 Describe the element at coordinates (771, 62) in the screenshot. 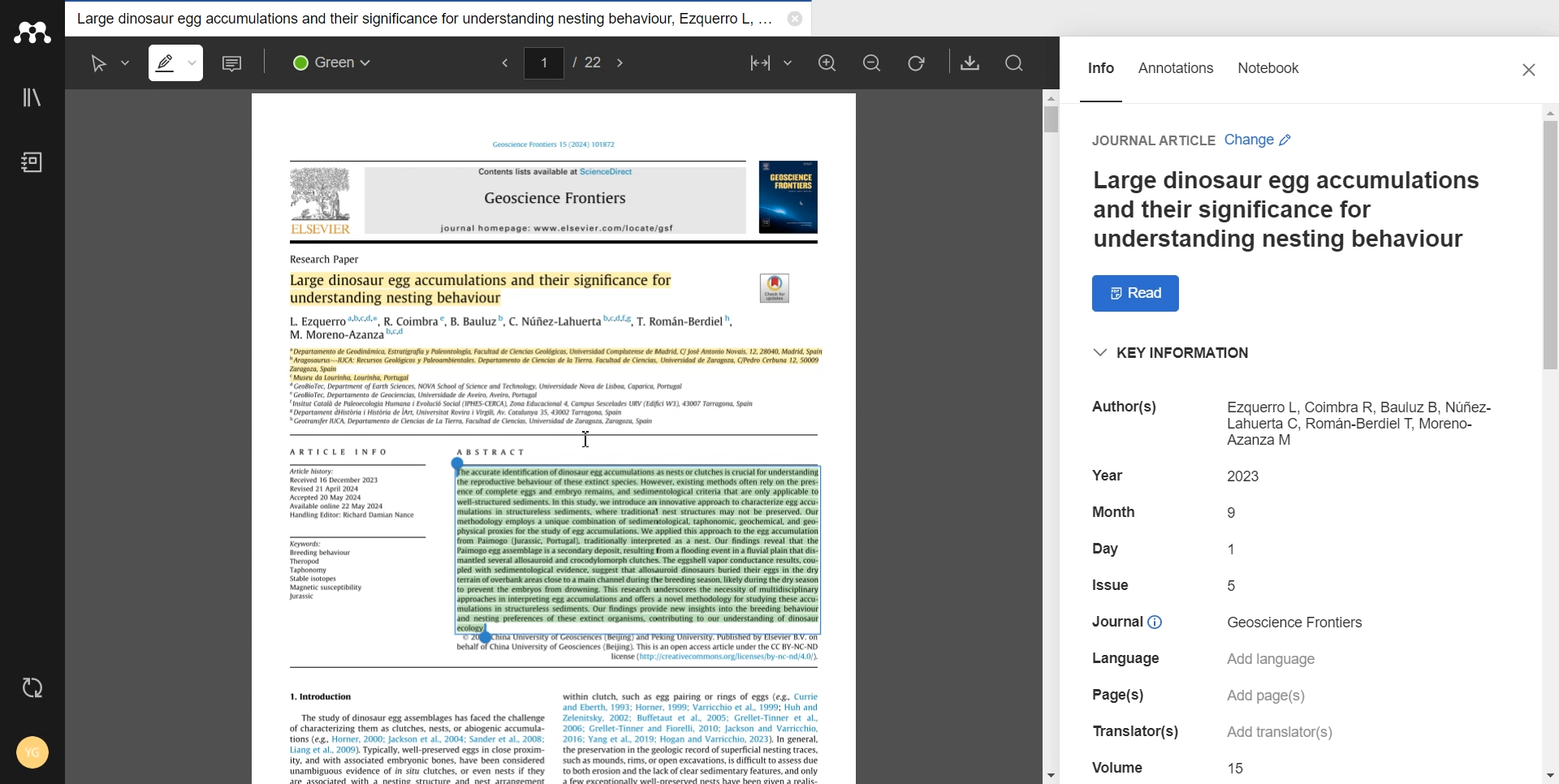

I see `Fit to width` at that location.